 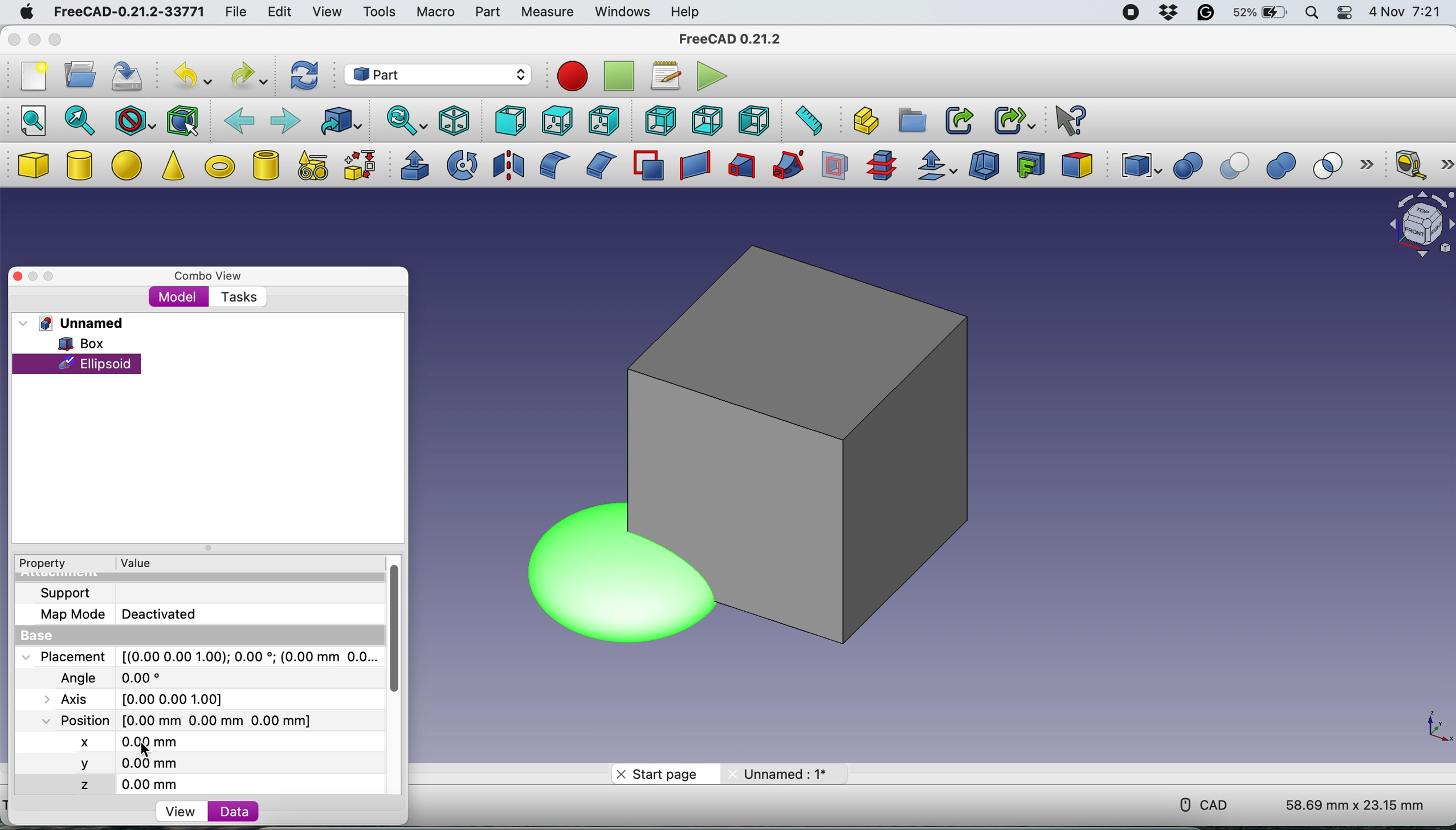 I want to click on refresh, so click(x=304, y=76).